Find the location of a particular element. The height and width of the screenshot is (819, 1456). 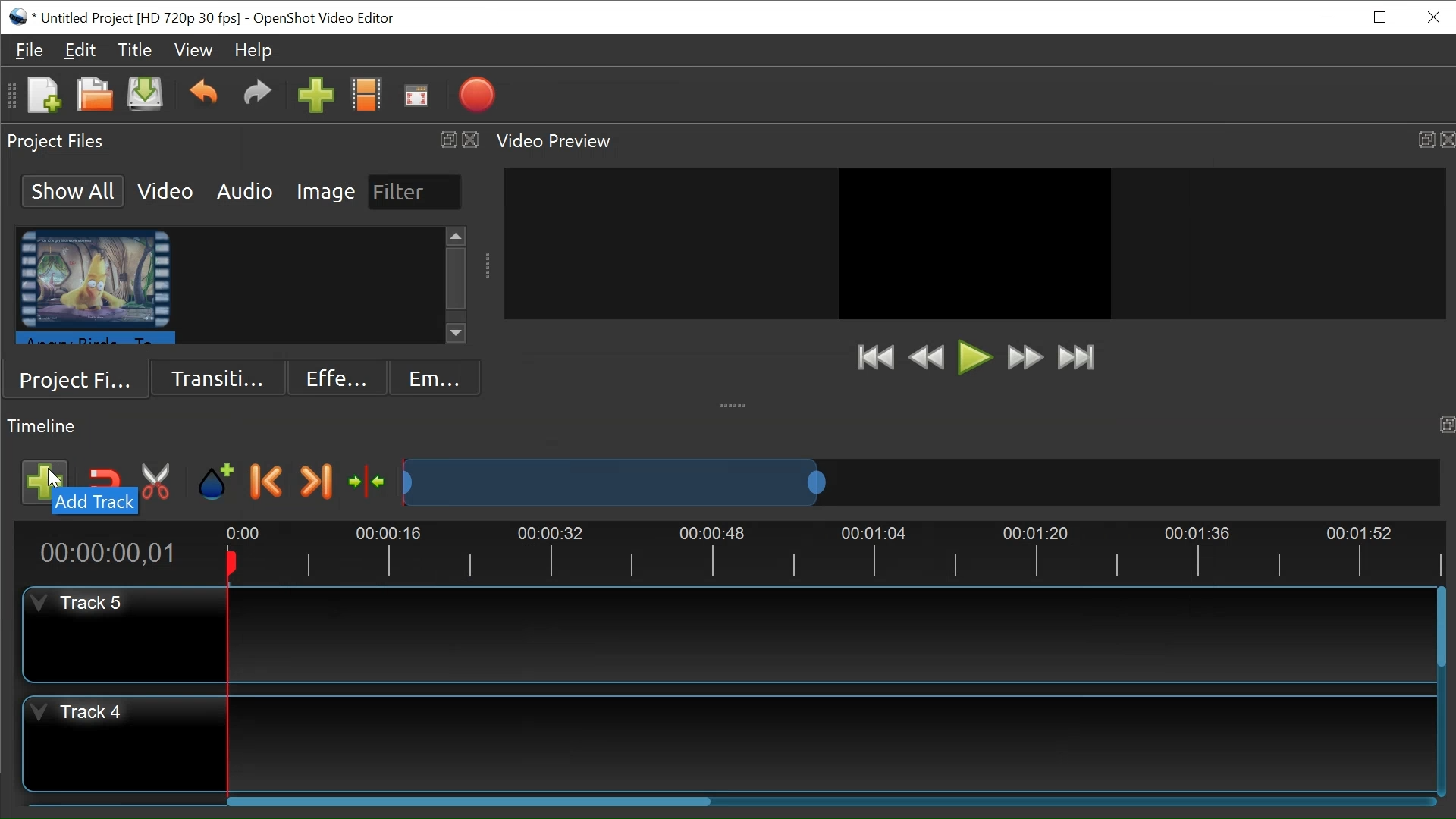

Fast Forward is located at coordinates (1025, 357).